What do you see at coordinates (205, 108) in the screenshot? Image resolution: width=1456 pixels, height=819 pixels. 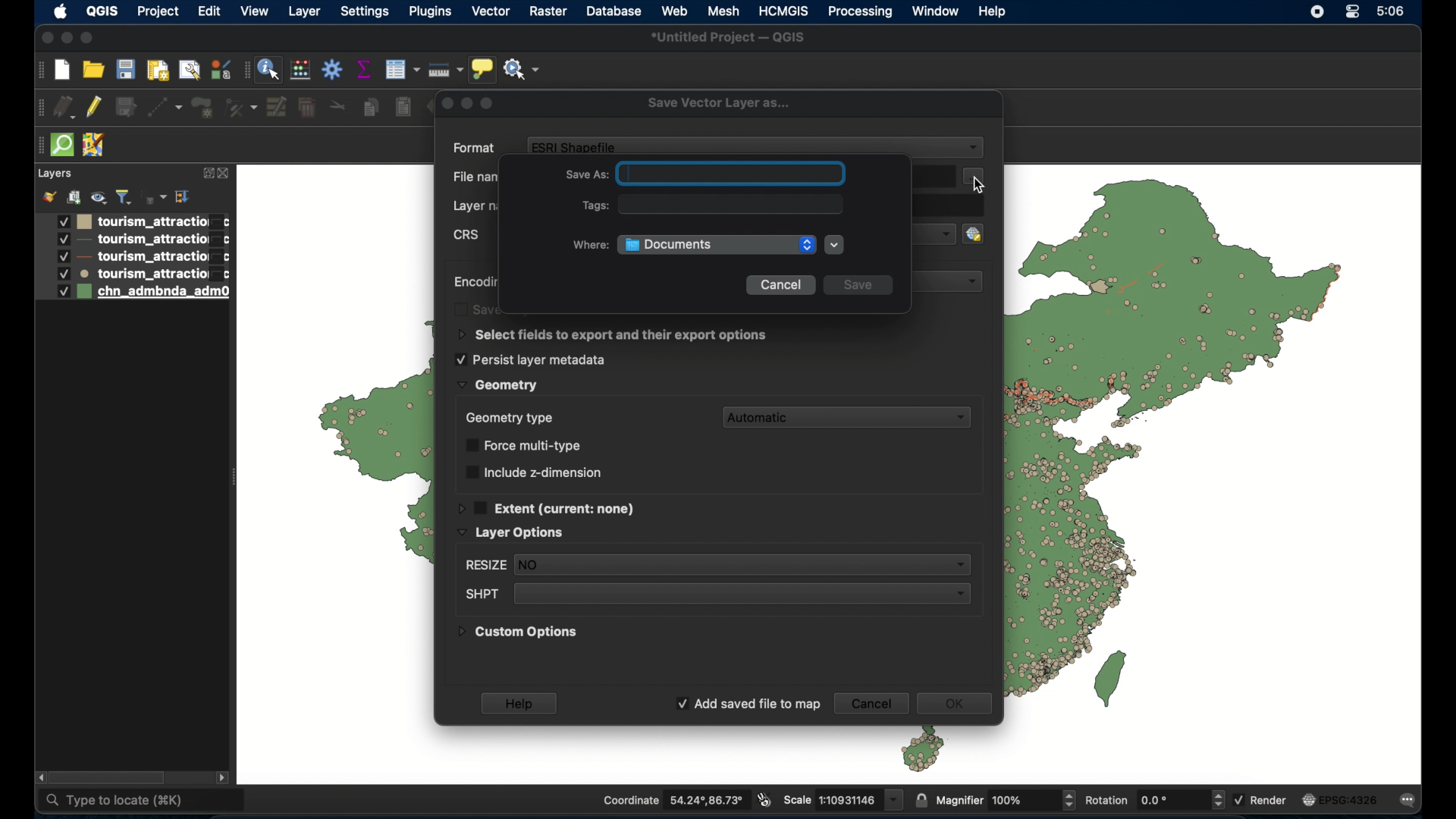 I see `add polygon feature` at bounding box center [205, 108].